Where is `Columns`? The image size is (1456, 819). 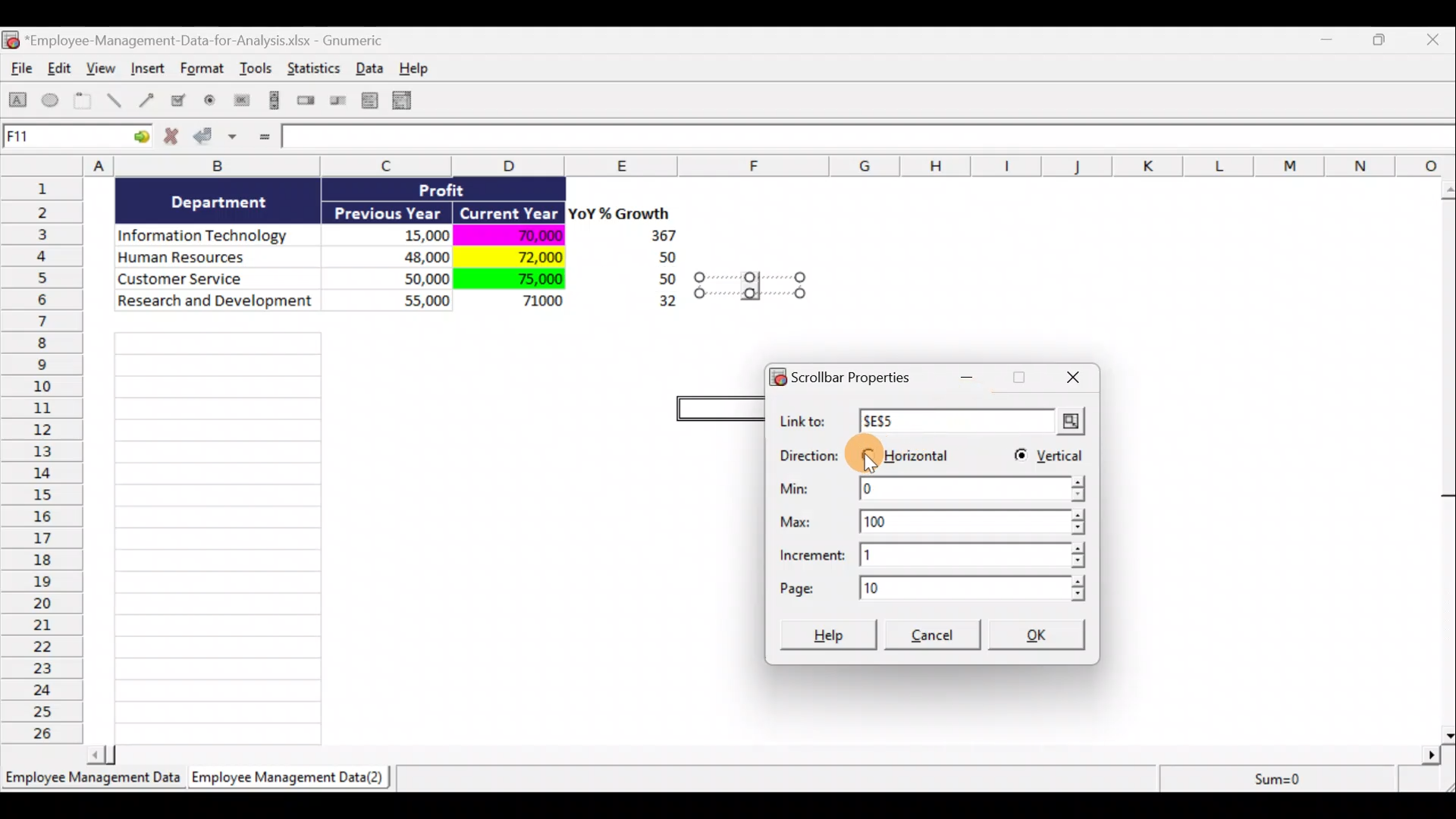 Columns is located at coordinates (733, 165).